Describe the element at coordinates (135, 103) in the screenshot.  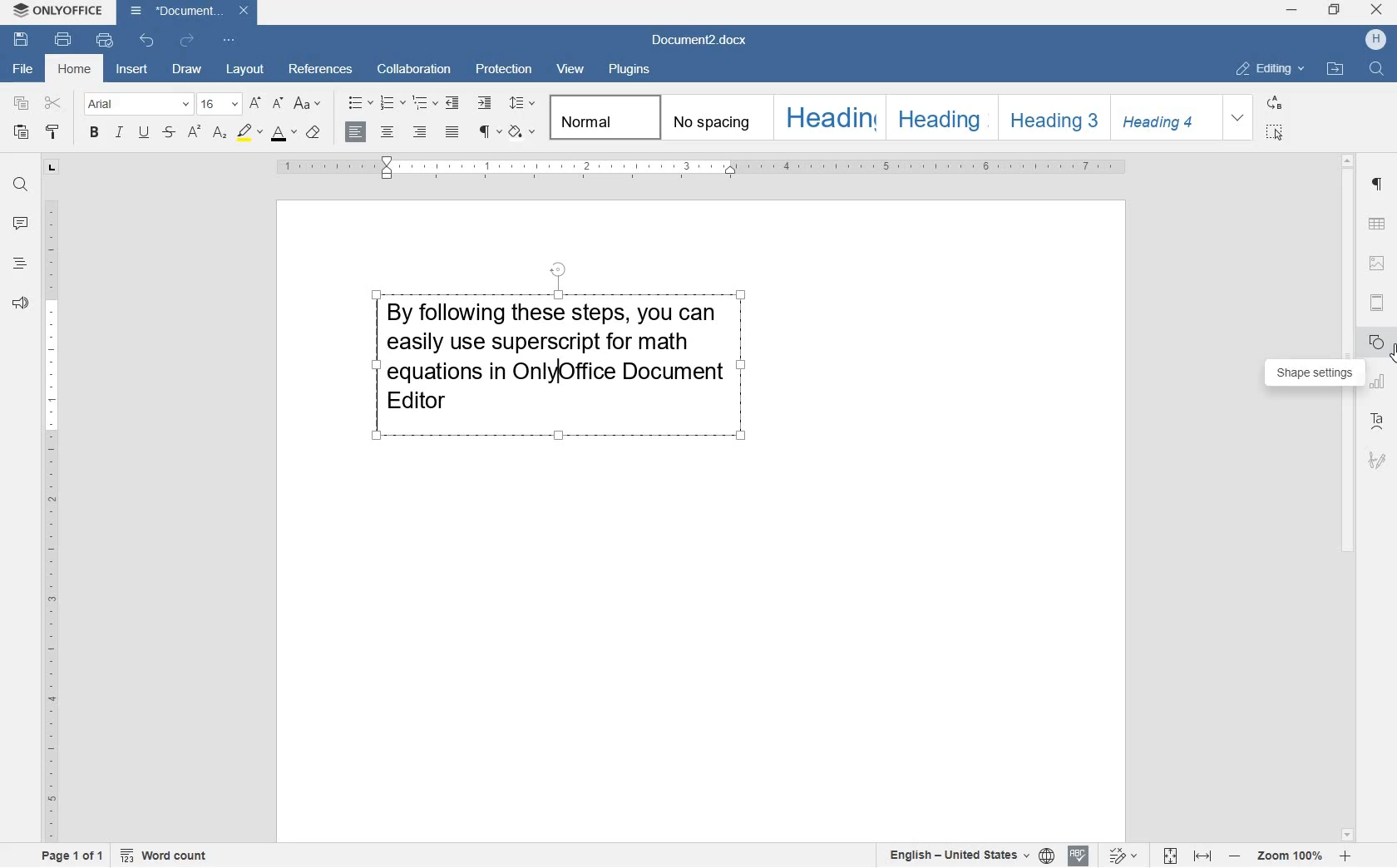
I see `font name` at that location.